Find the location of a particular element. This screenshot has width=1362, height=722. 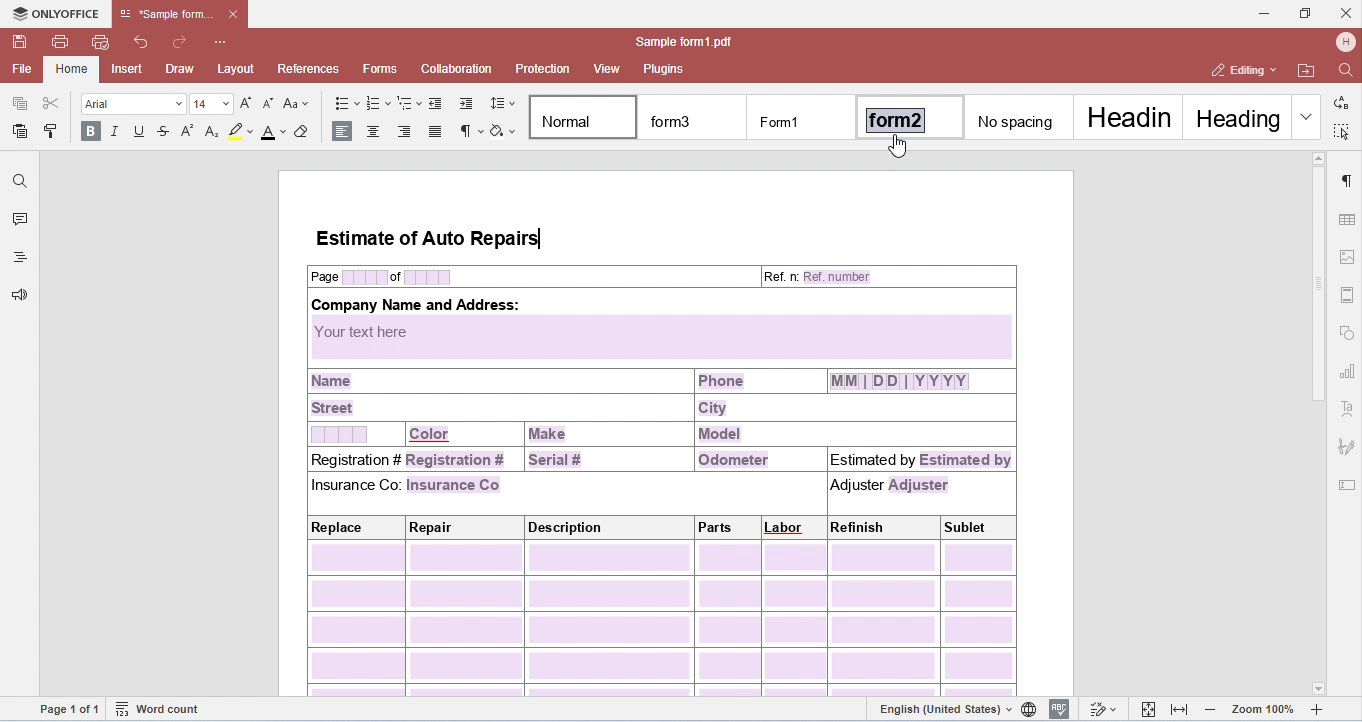

track changes is located at coordinates (1102, 709).